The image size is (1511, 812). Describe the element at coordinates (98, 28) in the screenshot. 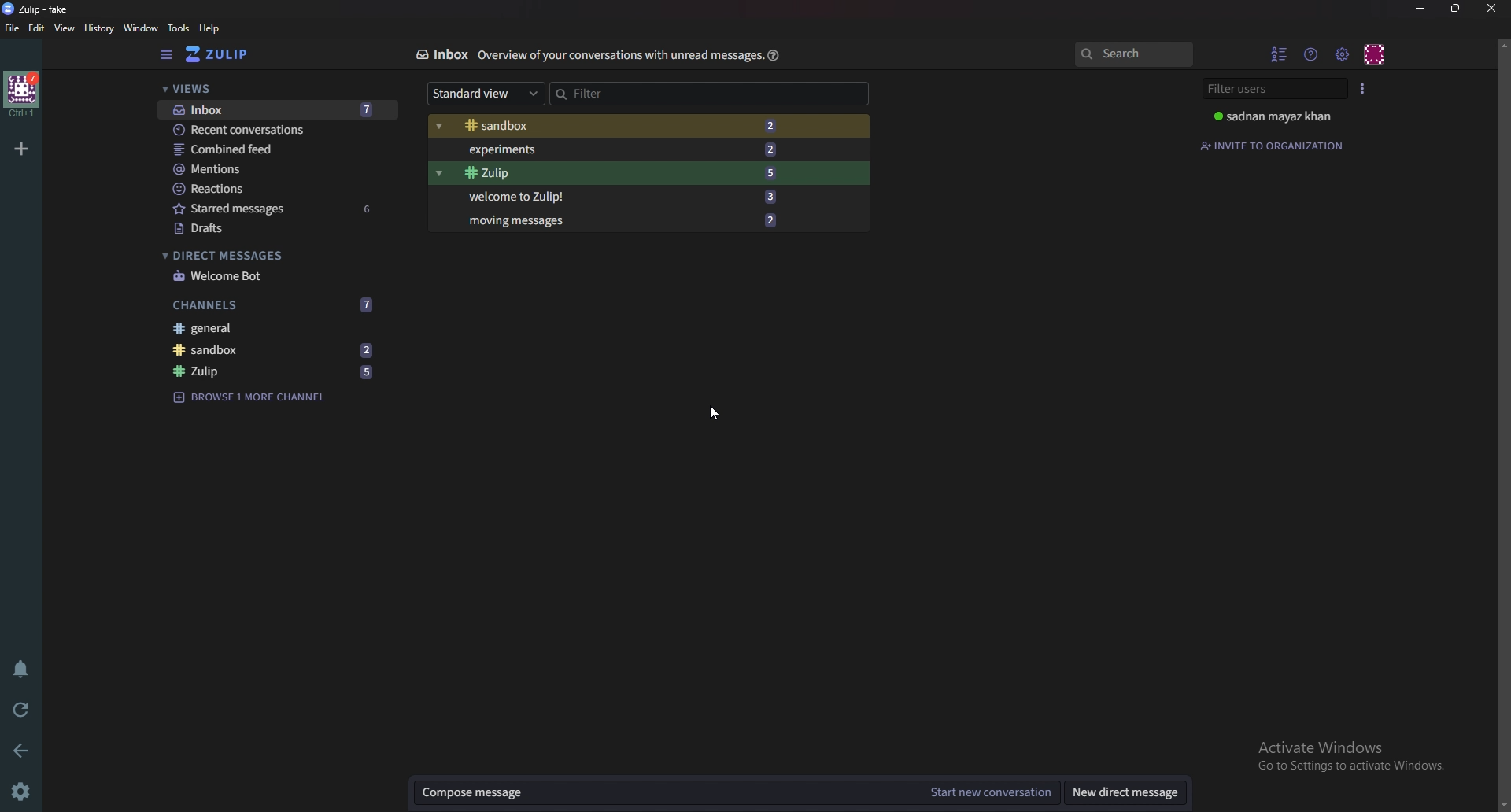

I see `History` at that location.